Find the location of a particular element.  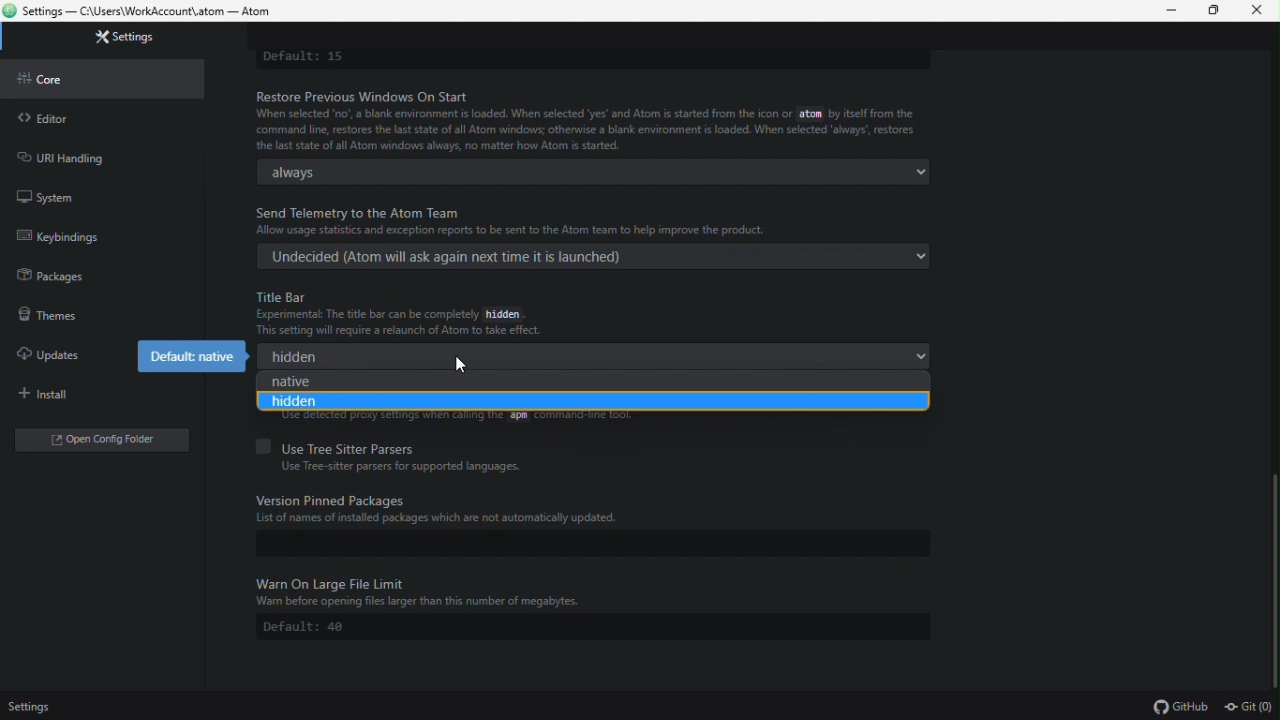

List of names of installed packages which are not automatically updated. is located at coordinates (440, 519).